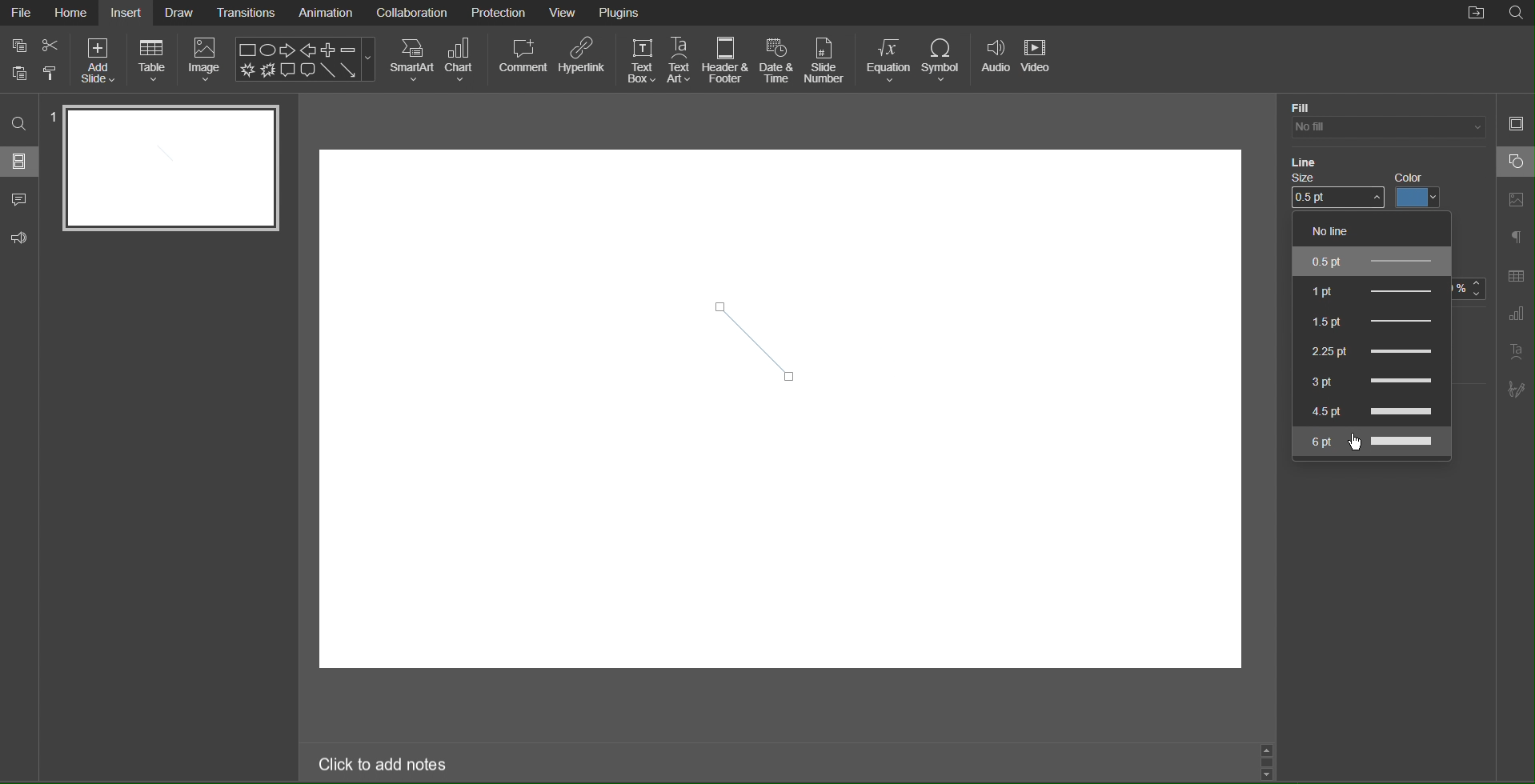 The image size is (1535, 784). Describe the element at coordinates (170, 169) in the screenshot. I see `Slide 1` at that location.